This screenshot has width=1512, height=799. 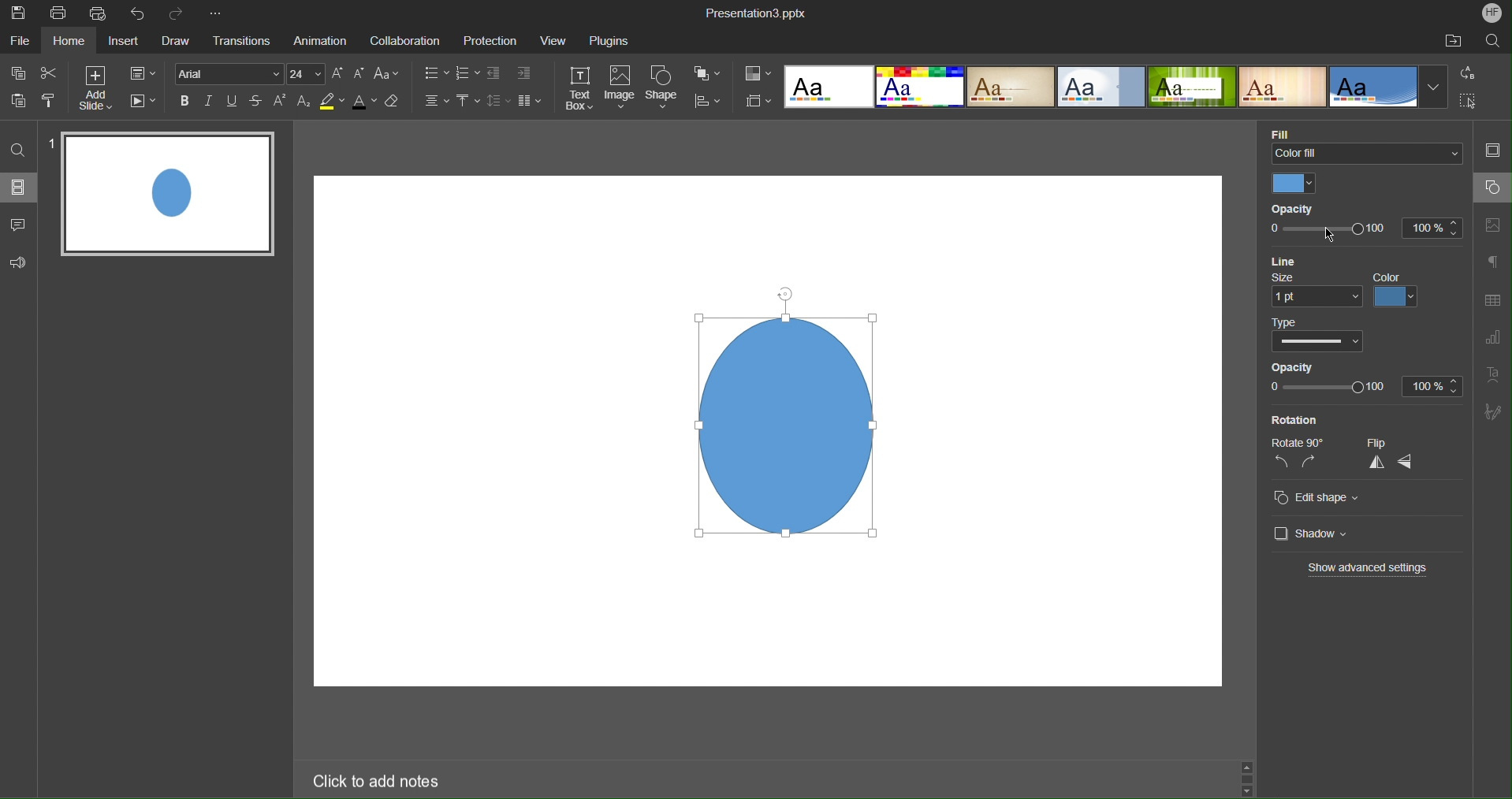 I want to click on Transitions, so click(x=239, y=42).